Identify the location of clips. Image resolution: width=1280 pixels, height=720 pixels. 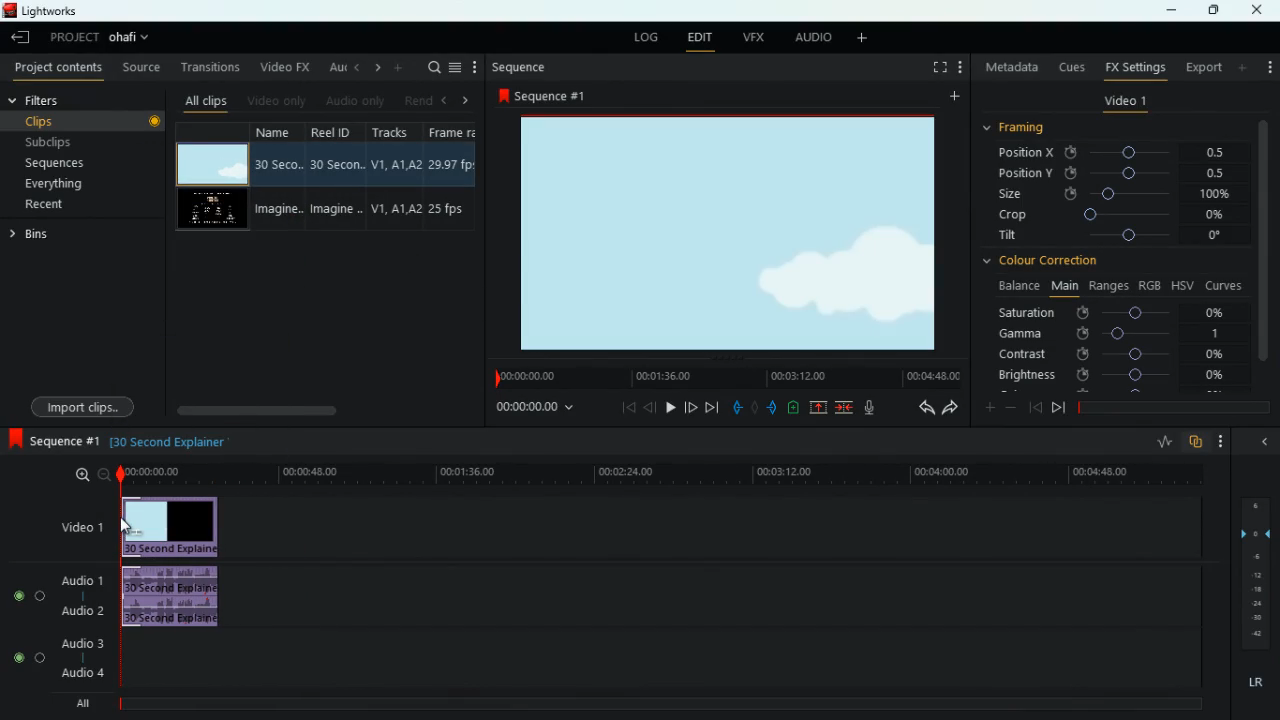
(74, 121).